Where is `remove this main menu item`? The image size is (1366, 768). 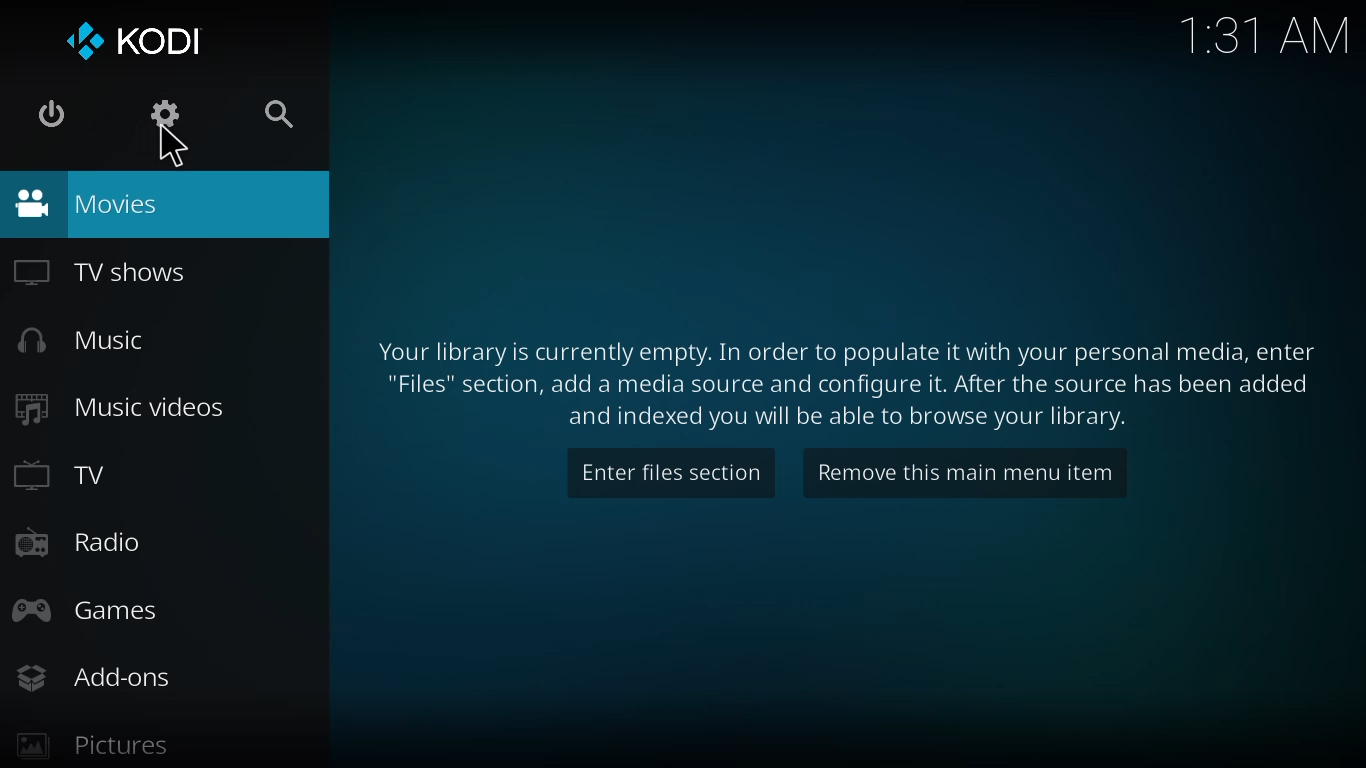
remove this main menu item is located at coordinates (962, 474).